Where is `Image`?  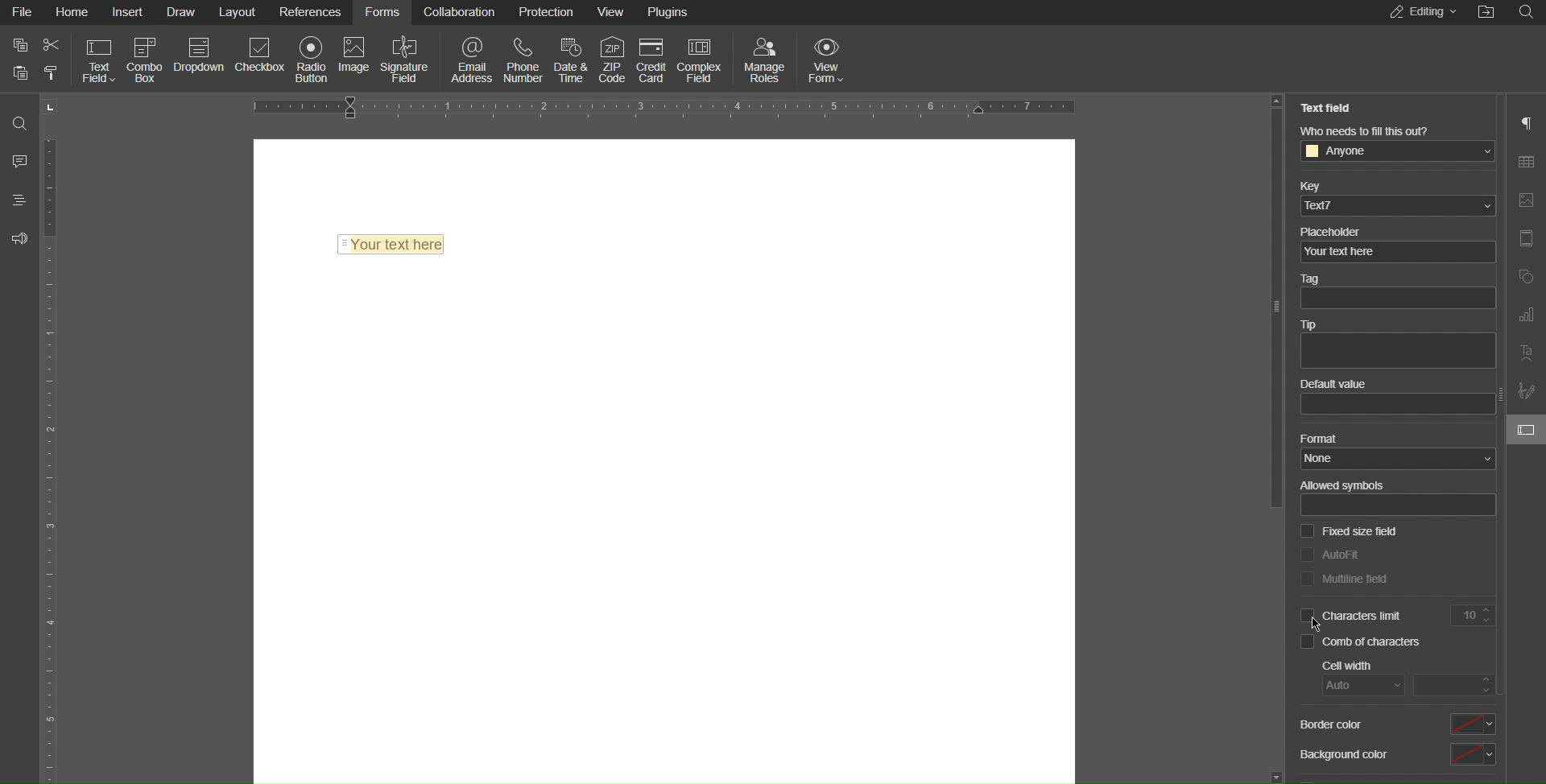 Image is located at coordinates (358, 58).